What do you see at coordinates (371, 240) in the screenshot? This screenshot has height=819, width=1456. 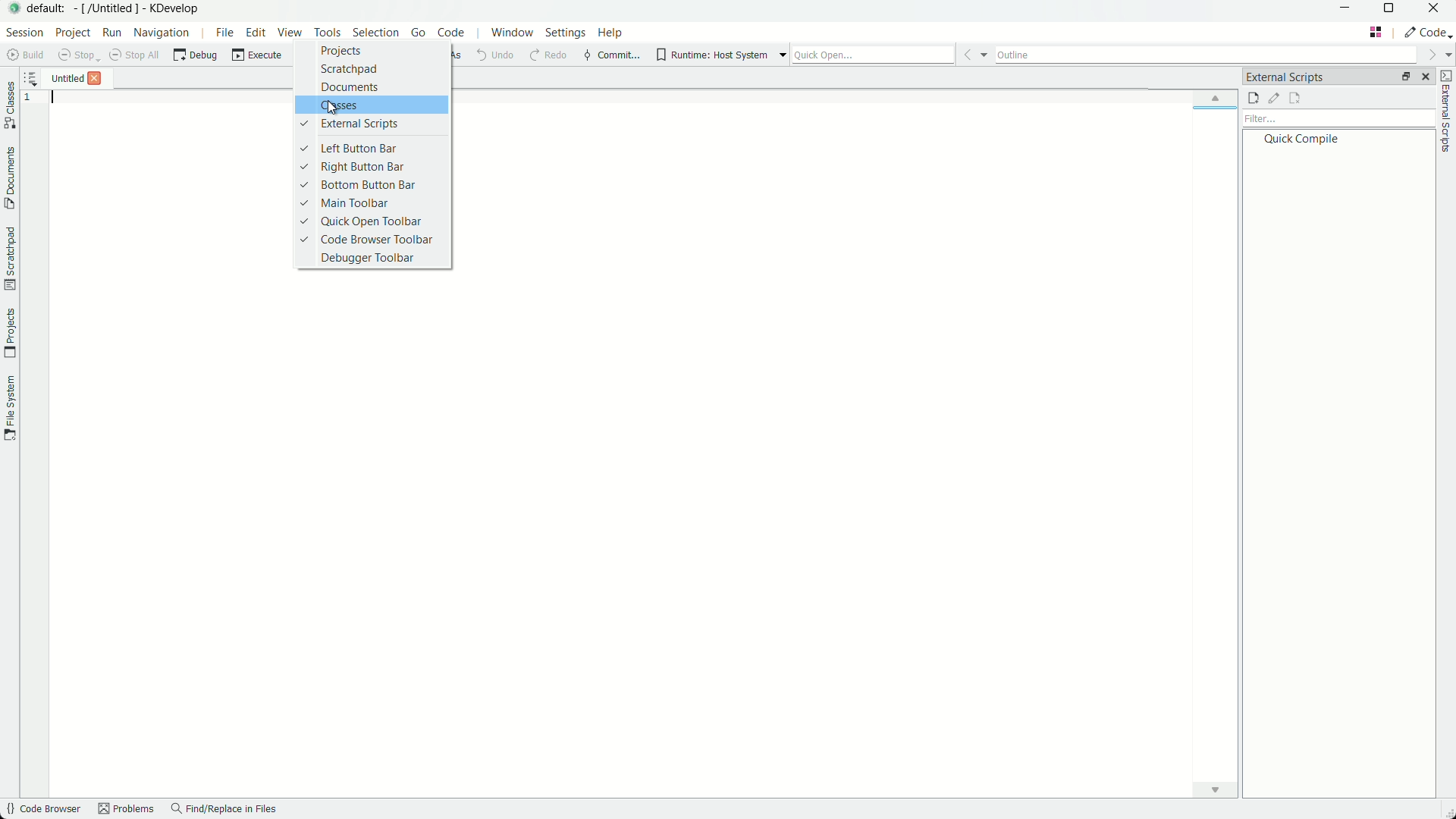 I see `code browser toolbar` at bounding box center [371, 240].